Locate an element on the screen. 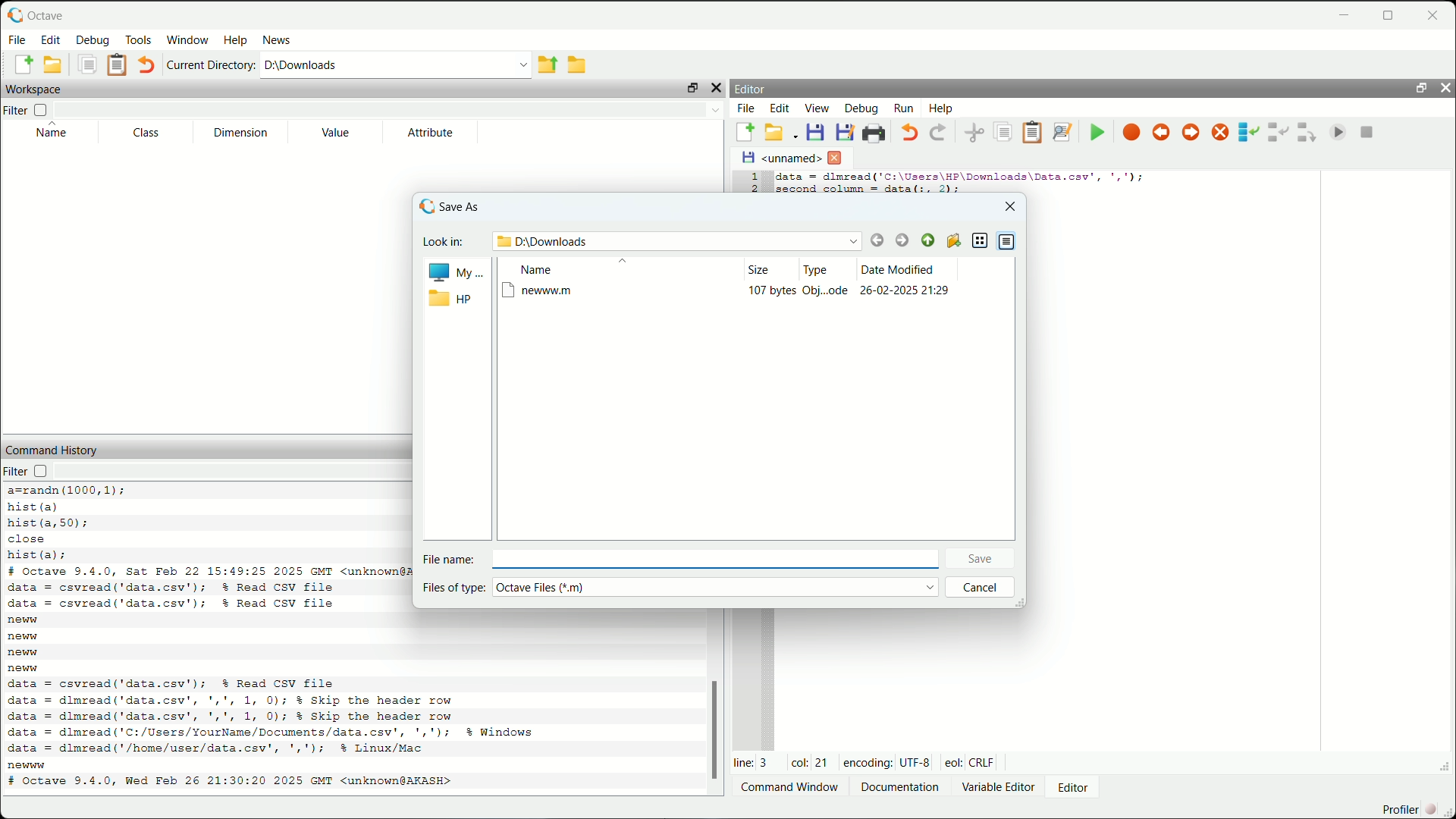 Image resolution: width=1456 pixels, height=819 pixels. continue is located at coordinates (1341, 129).